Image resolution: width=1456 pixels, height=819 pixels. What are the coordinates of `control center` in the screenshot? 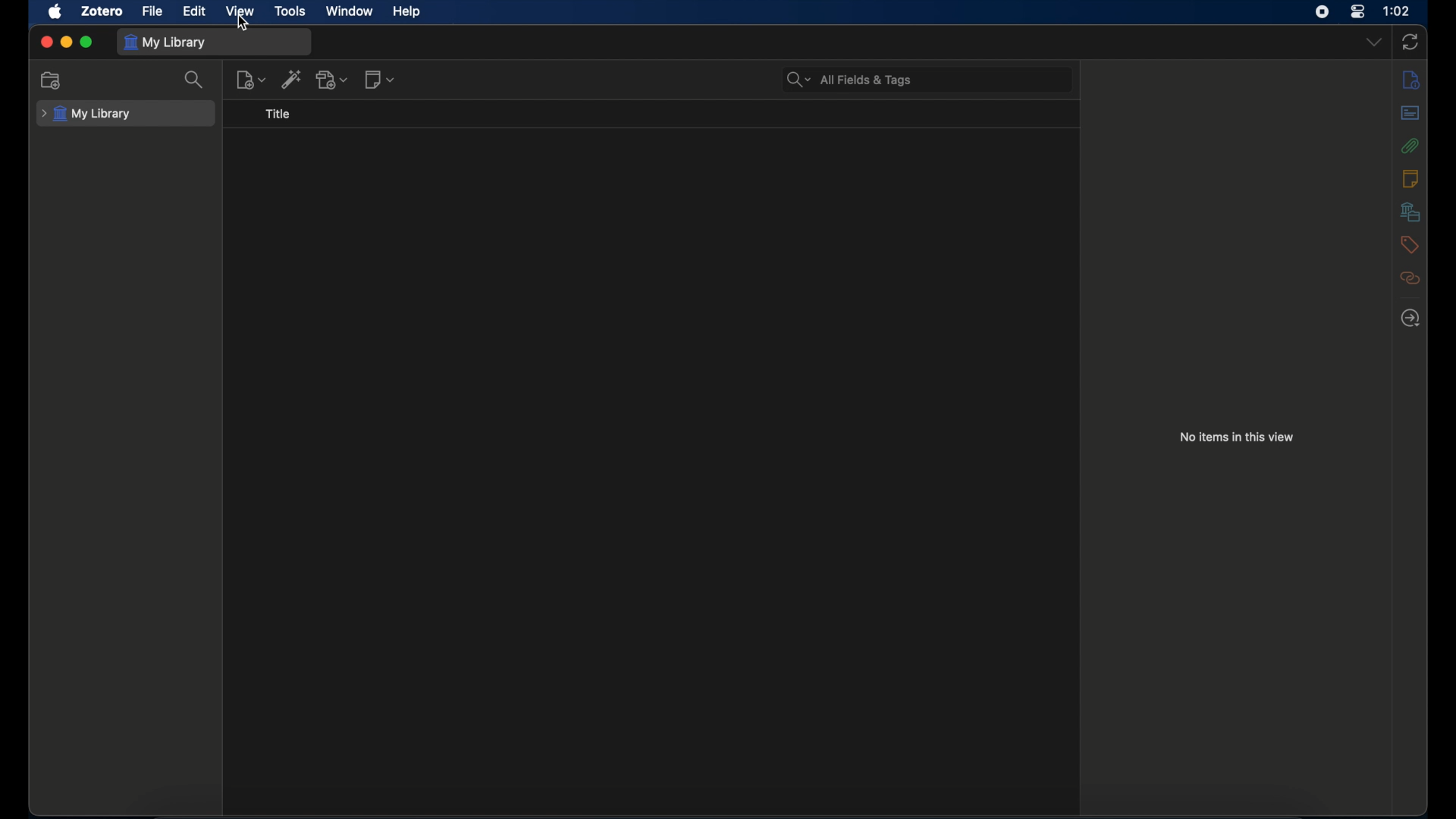 It's located at (1357, 11).